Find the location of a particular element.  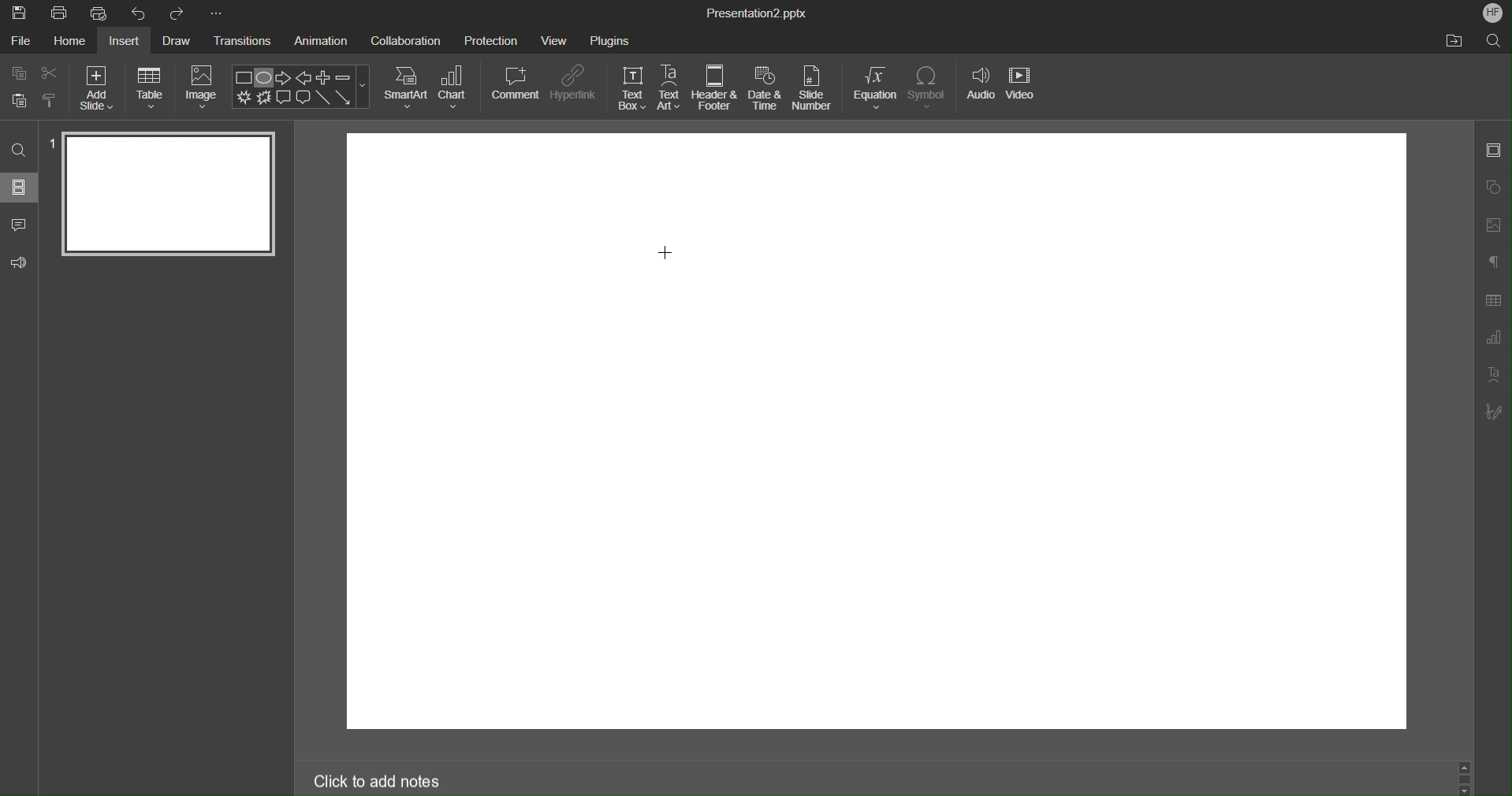

Slide Number is located at coordinates (815, 89).